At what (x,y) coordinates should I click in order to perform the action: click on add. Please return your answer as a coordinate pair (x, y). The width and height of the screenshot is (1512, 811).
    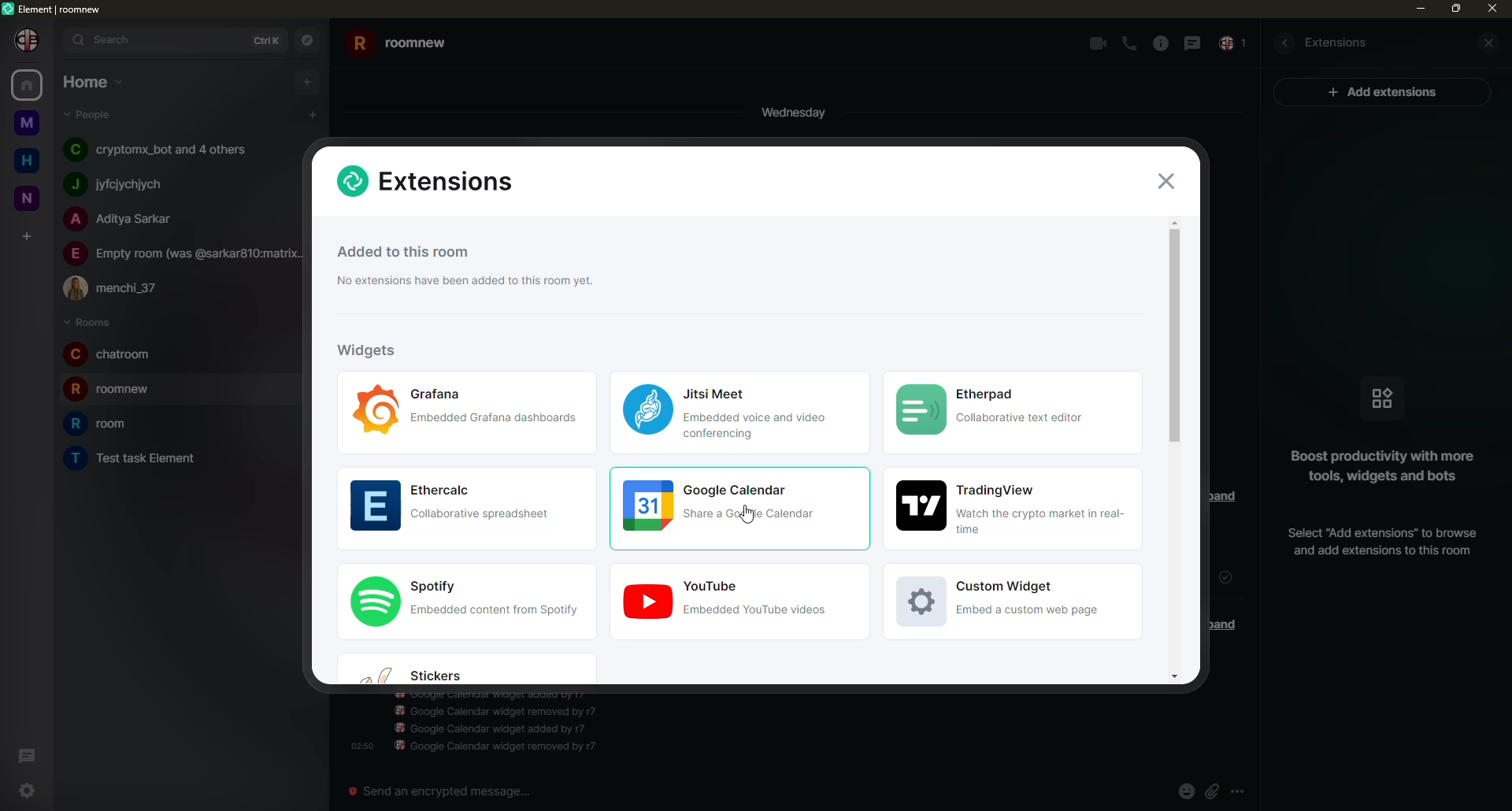
    Looking at the image, I should click on (27, 236).